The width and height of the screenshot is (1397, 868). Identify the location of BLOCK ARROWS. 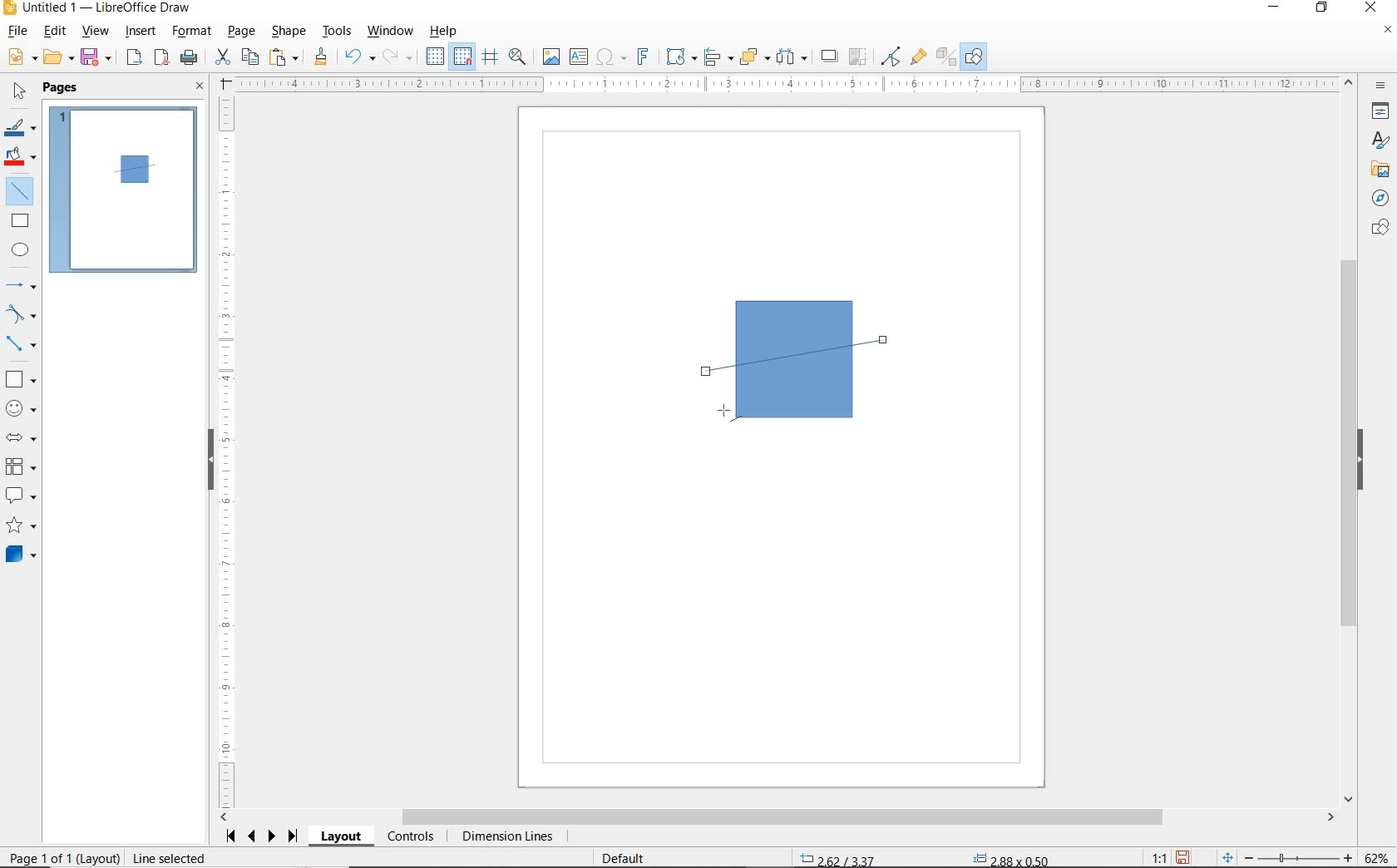
(26, 437).